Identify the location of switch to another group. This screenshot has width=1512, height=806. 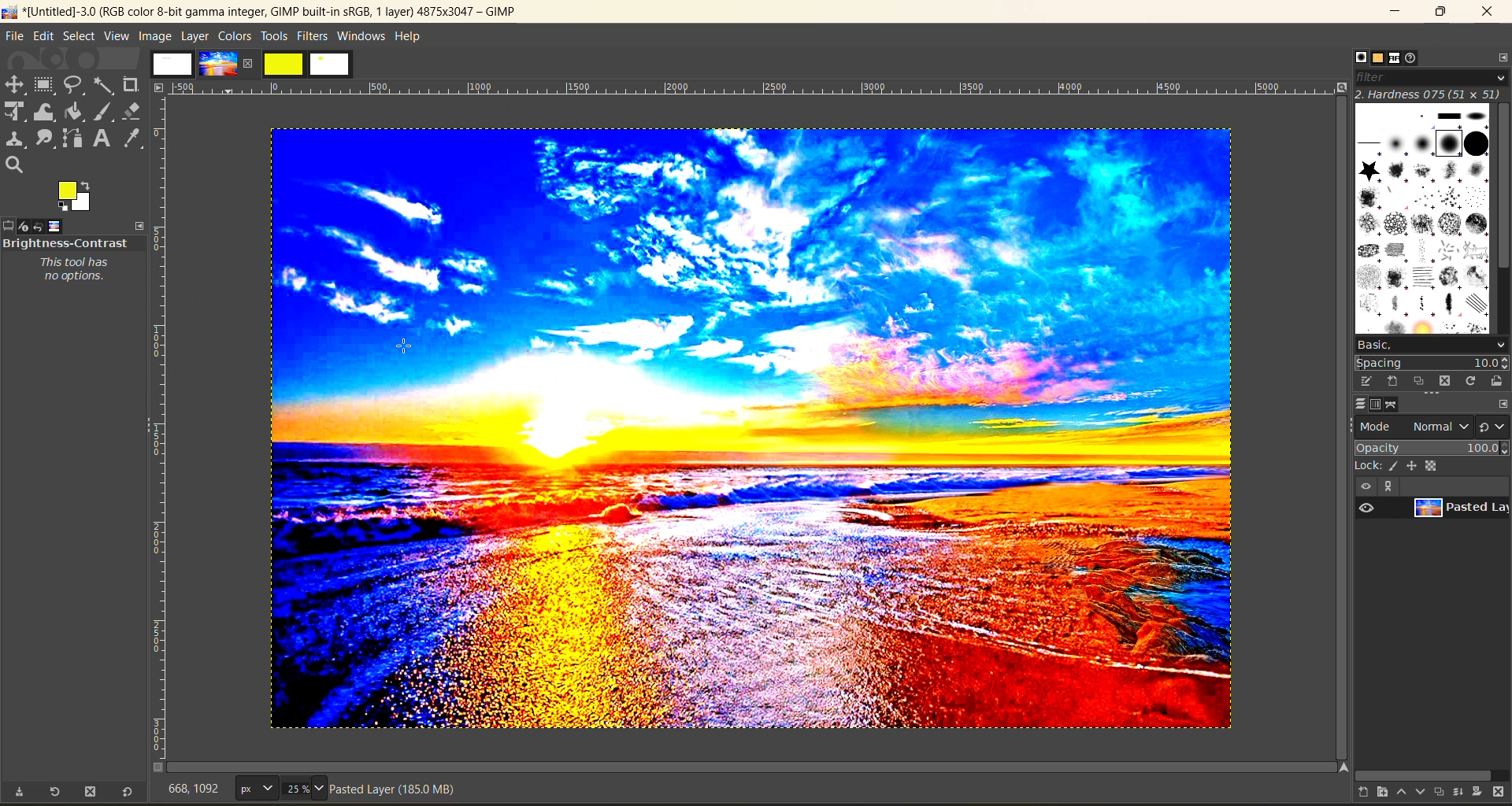
(1494, 430).